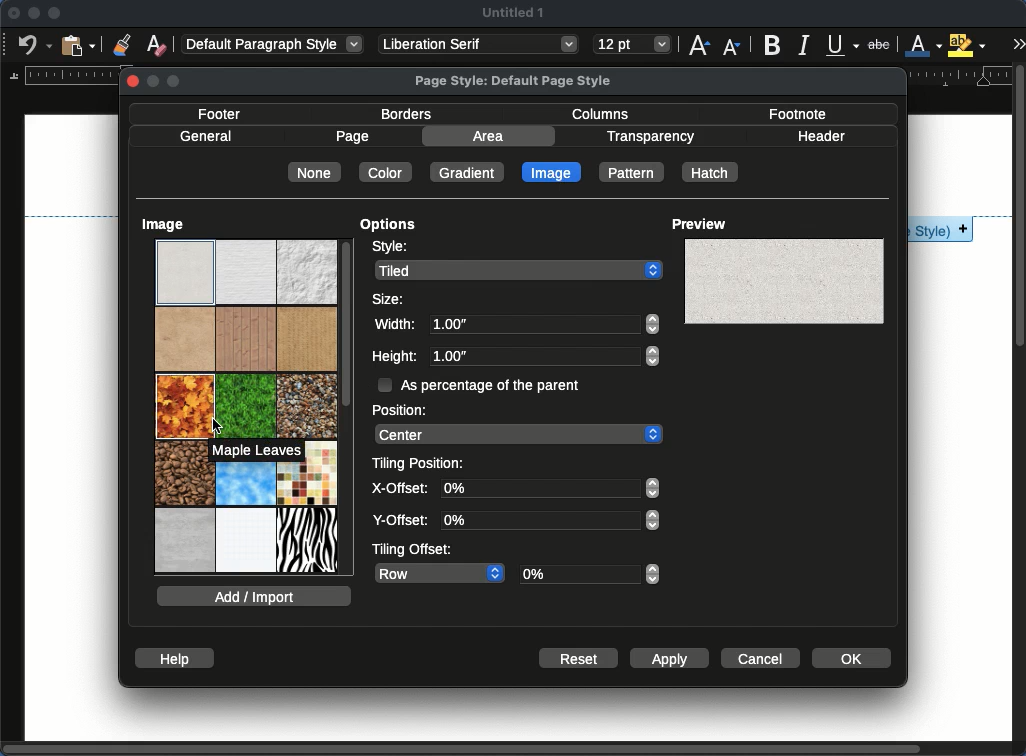  I want to click on bold, so click(772, 44).